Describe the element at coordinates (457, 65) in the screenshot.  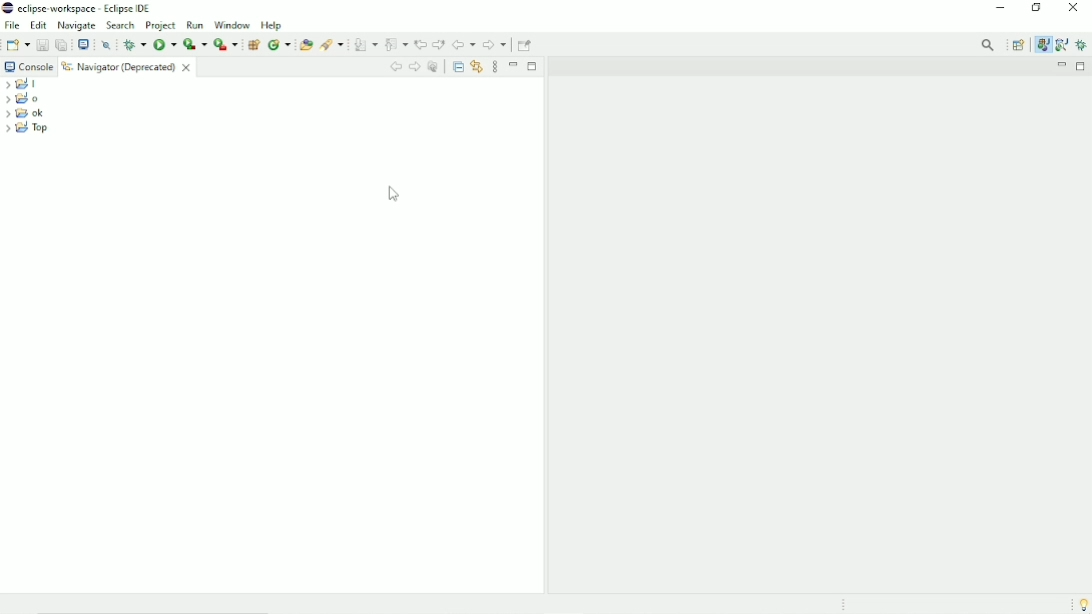
I see `Collapse all` at that location.